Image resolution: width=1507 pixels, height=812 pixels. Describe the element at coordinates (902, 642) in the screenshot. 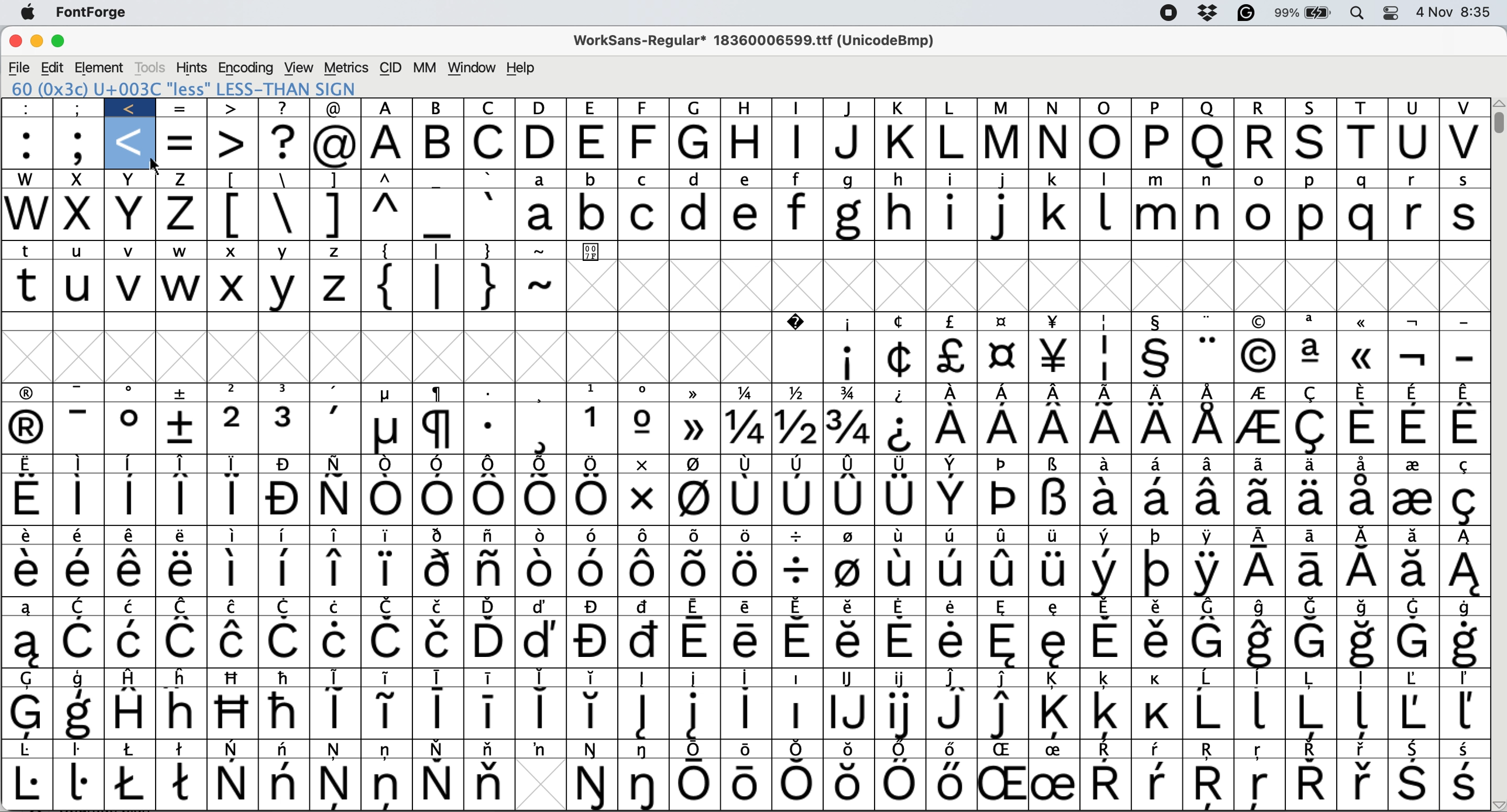

I see `symbol` at that location.